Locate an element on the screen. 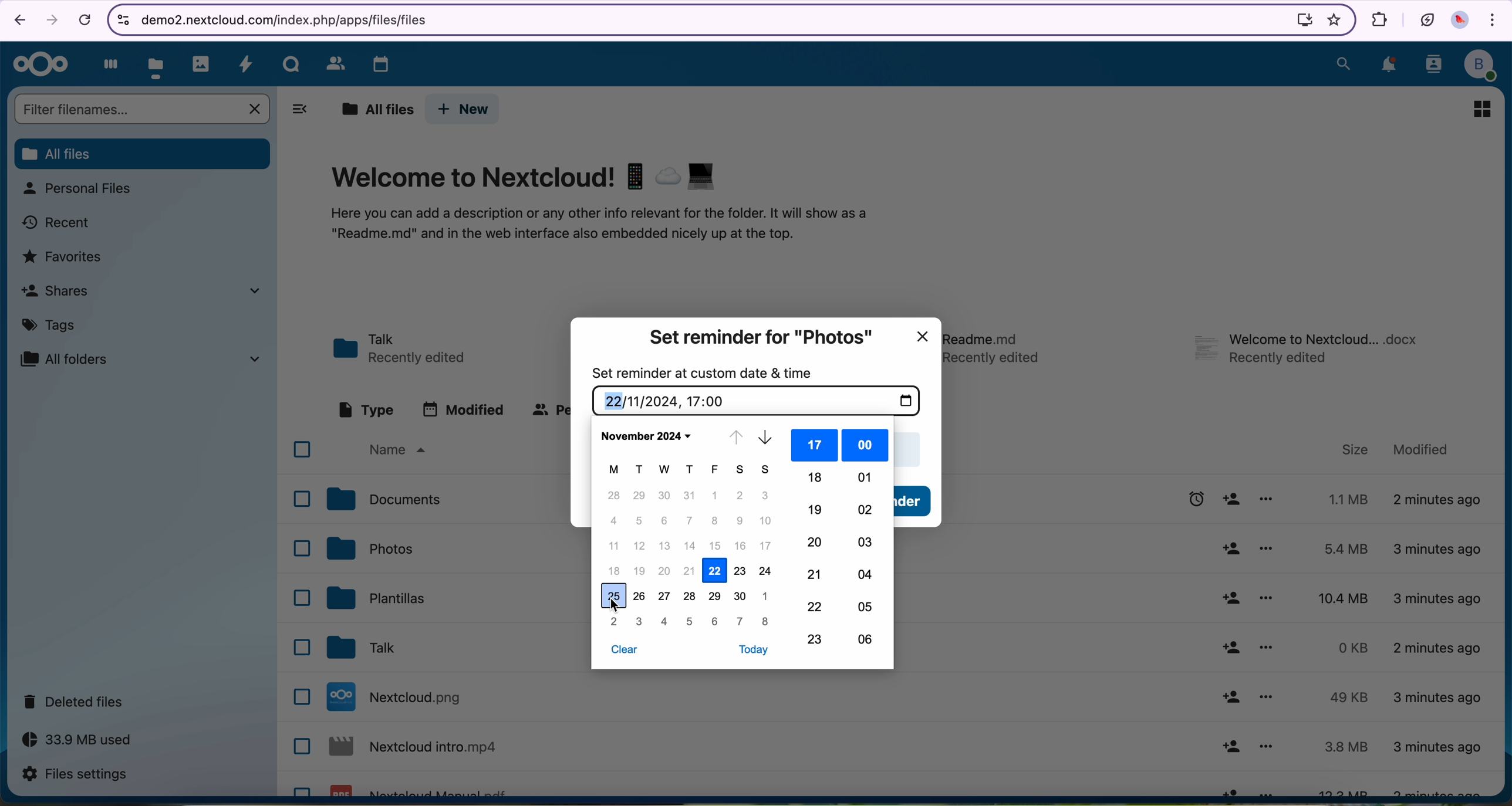  19 is located at coordinates (640, 571).